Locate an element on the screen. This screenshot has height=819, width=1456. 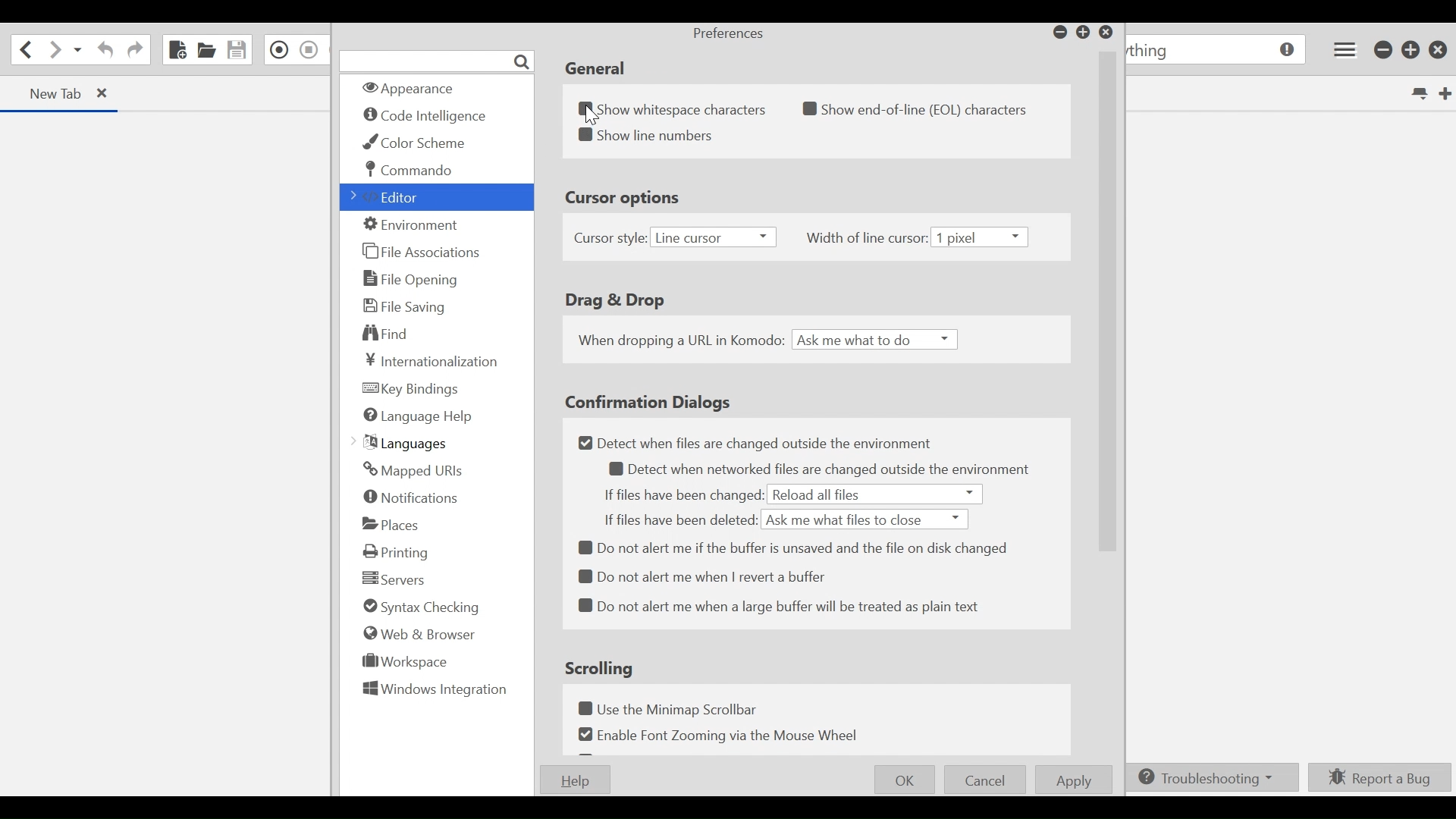
Go back one location is located at coordinates (25, 49).